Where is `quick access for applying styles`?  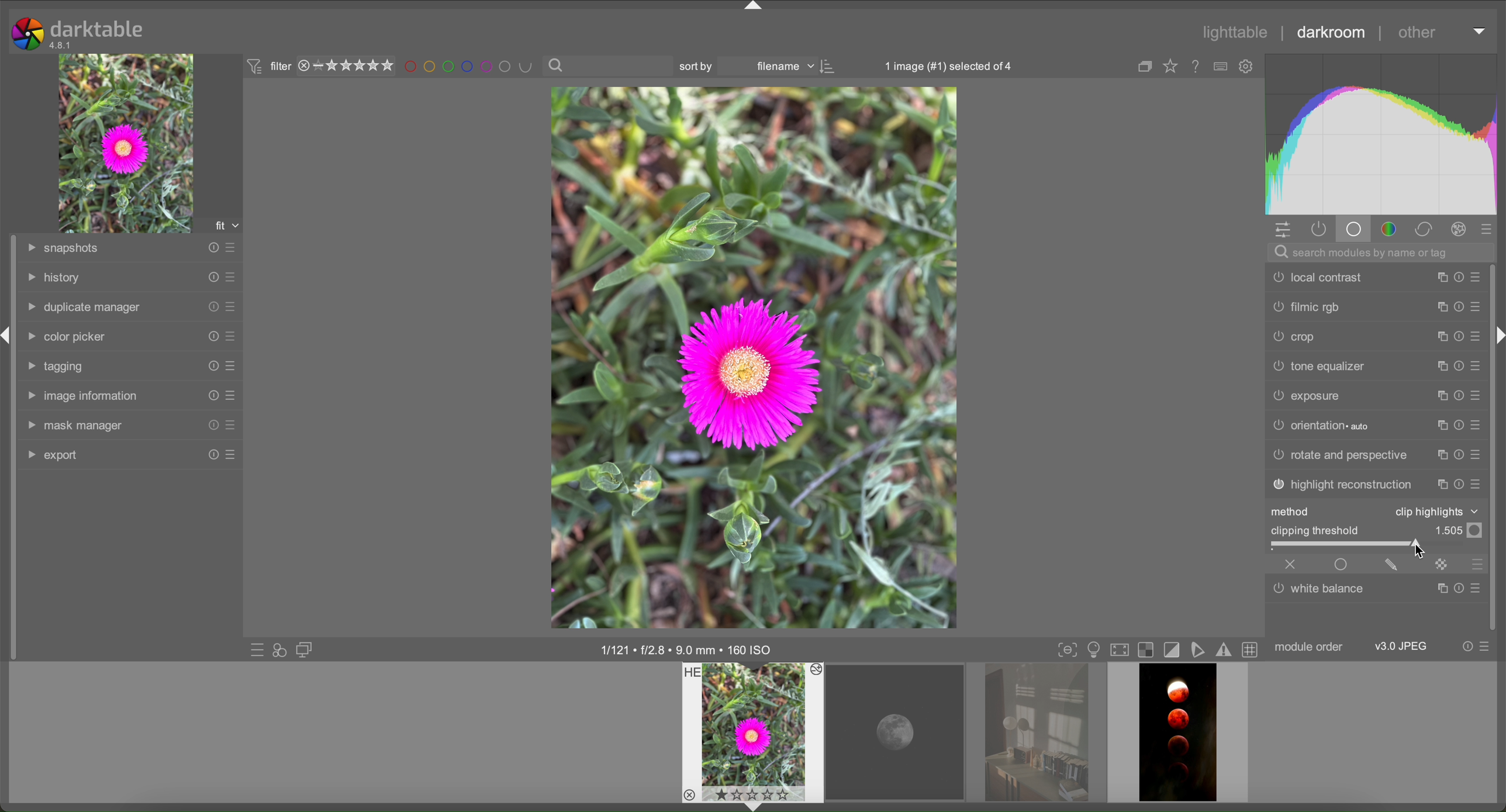
quick access for applying styles is located at coordinates (281, 649).